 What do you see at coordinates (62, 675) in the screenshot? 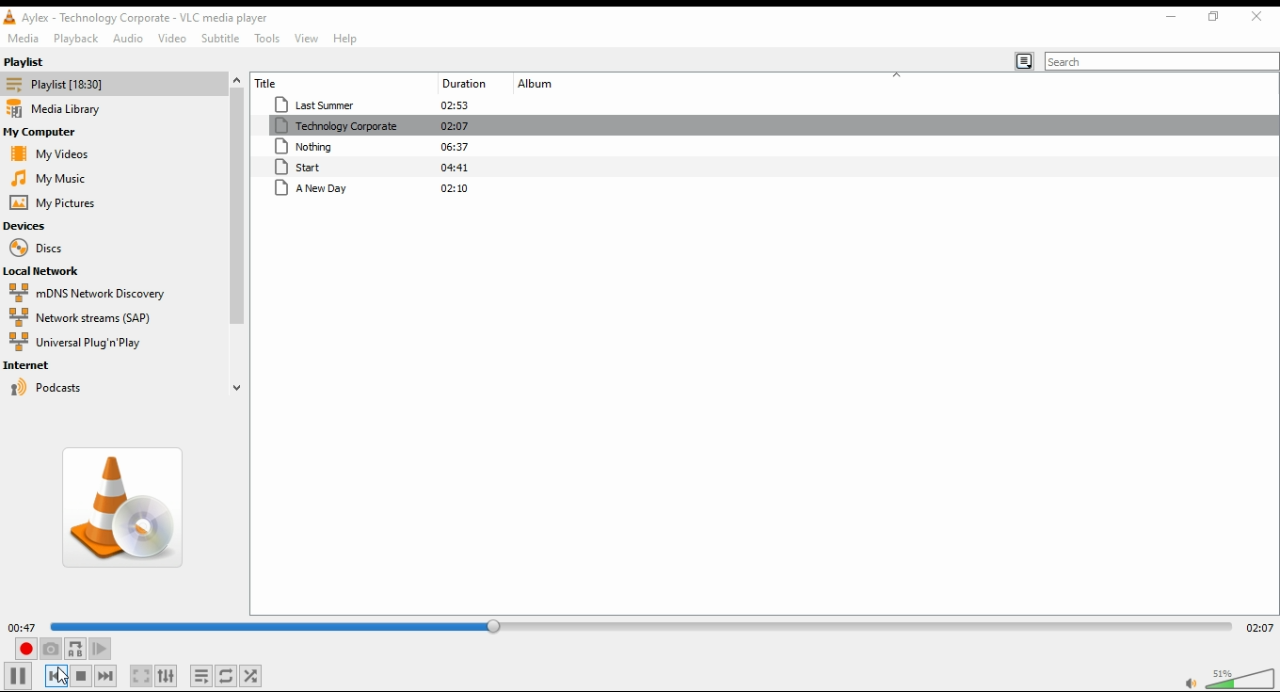
I see `cursor` at bounding box center [62, 675].